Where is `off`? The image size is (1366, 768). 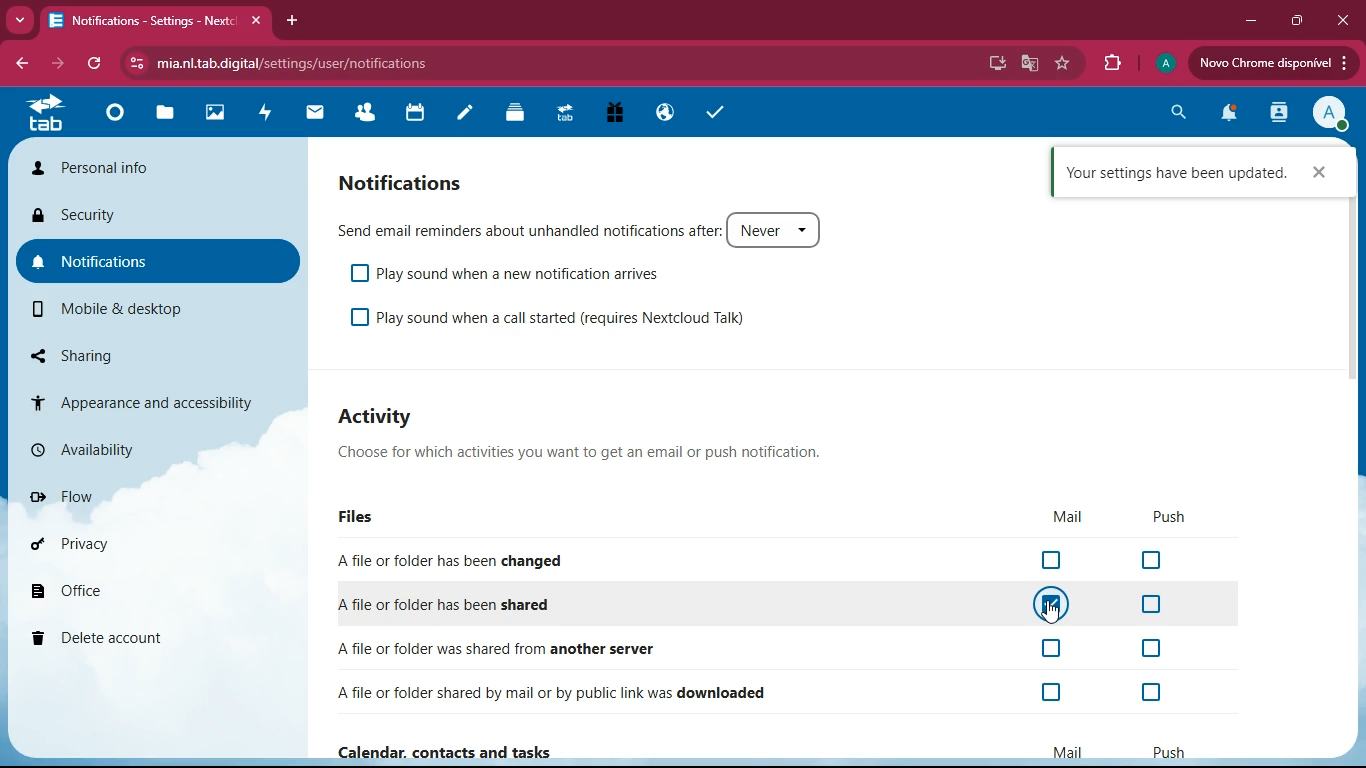 off is located at coordinates (1153, 606).